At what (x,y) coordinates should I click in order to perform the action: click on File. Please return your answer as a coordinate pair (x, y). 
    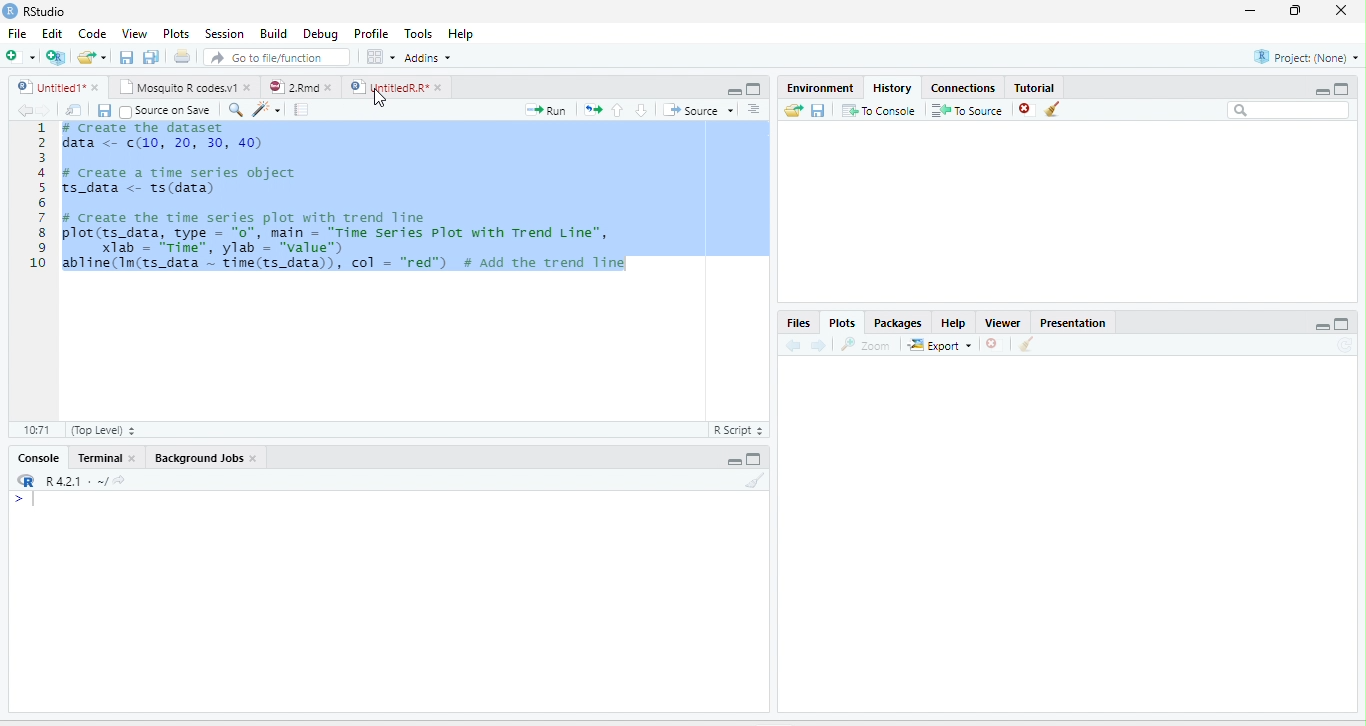
    Looking at the image, I should click on (18, 33).